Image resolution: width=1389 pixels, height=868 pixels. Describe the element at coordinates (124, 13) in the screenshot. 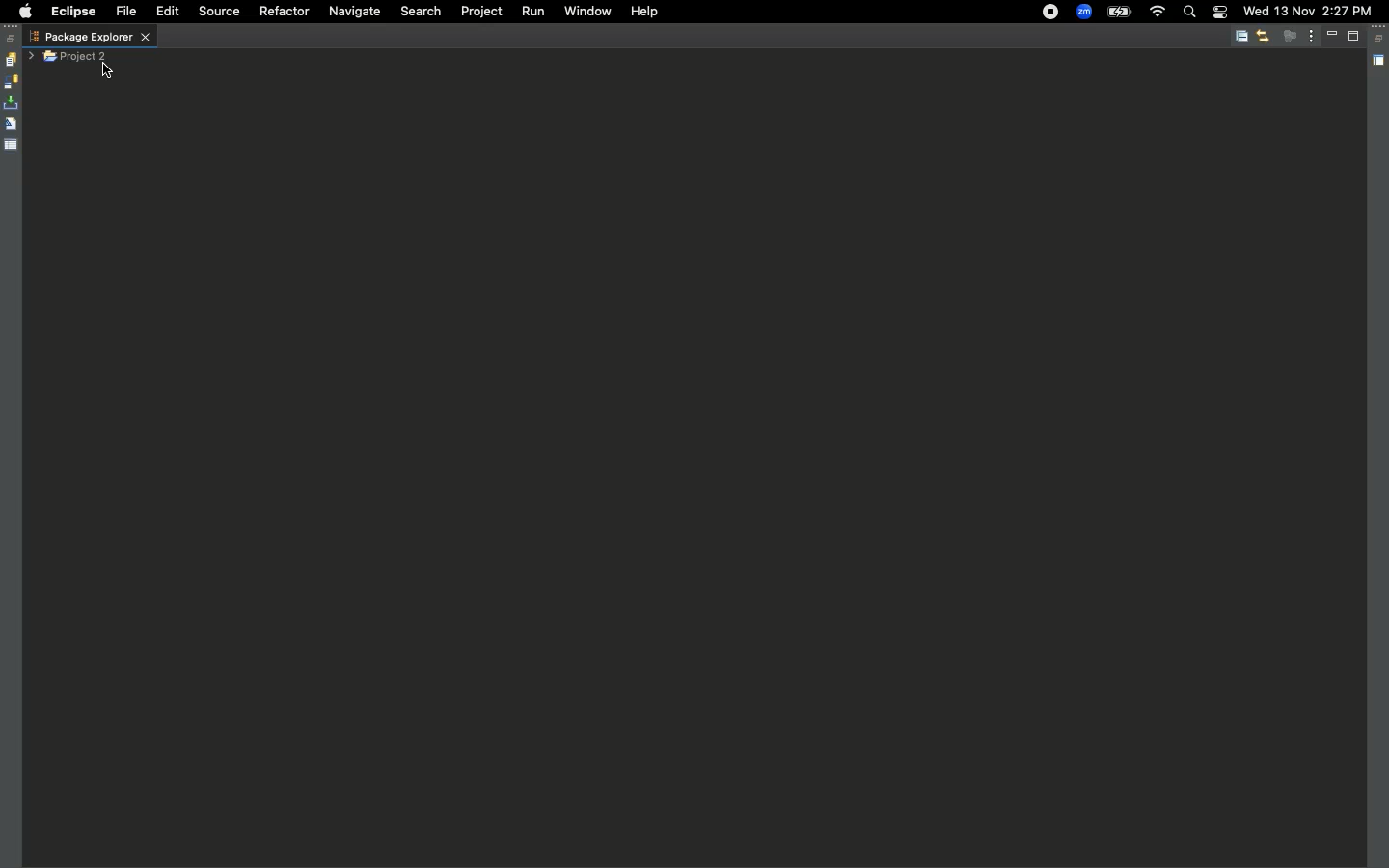

I see `File` at that location.